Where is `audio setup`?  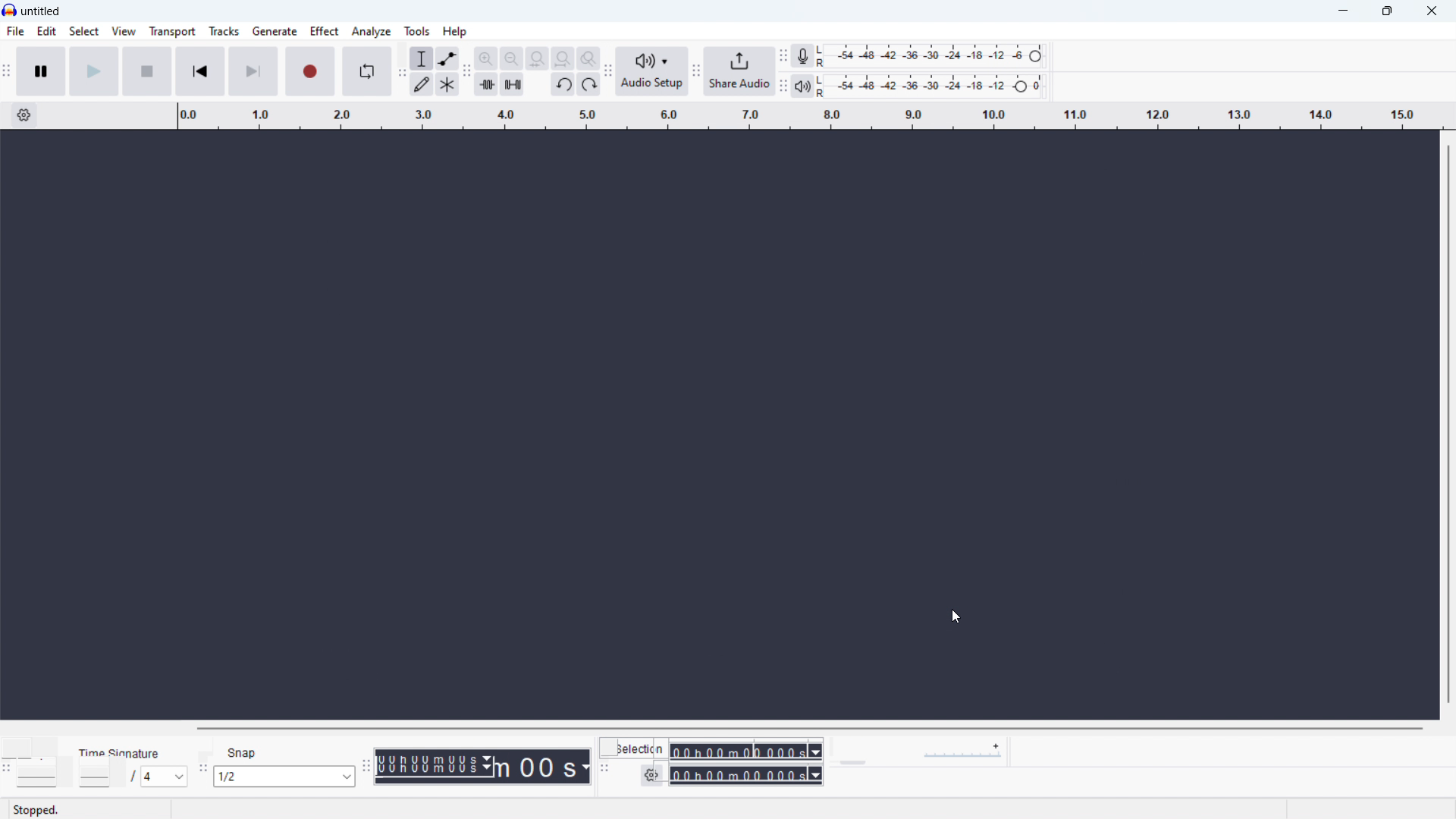 audio setup is located at coordinates (651, 71).